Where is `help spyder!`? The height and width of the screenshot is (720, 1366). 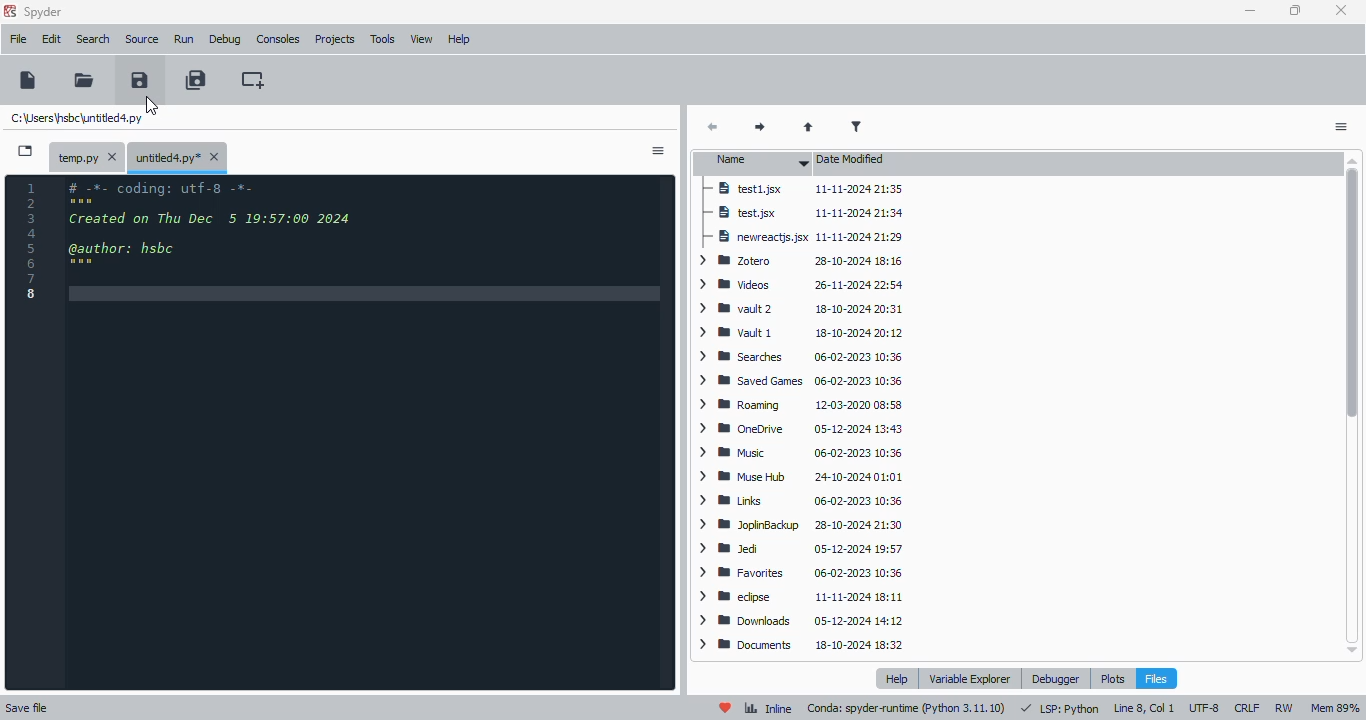 help spyder! is located at coordinates (726, 708).